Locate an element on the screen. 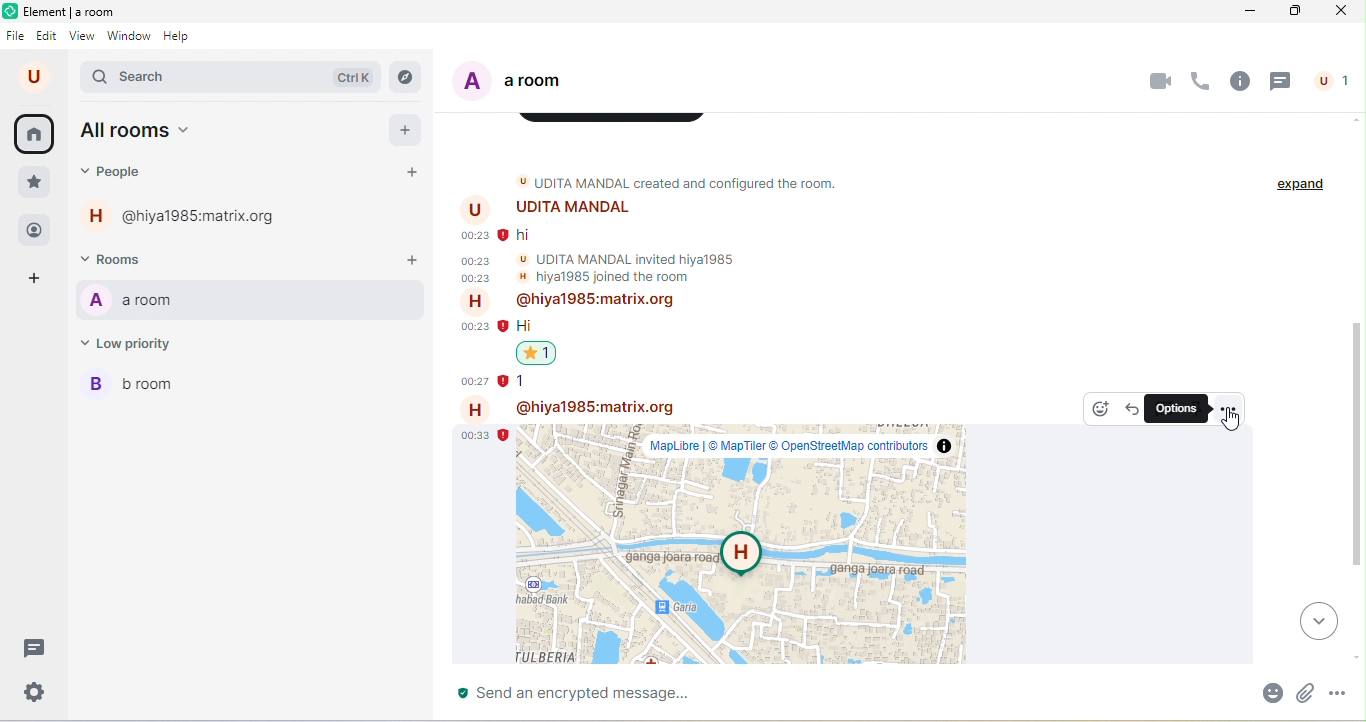 This screenshot has height=722, width=1366. emoji is located at coordinates (1275, 694).